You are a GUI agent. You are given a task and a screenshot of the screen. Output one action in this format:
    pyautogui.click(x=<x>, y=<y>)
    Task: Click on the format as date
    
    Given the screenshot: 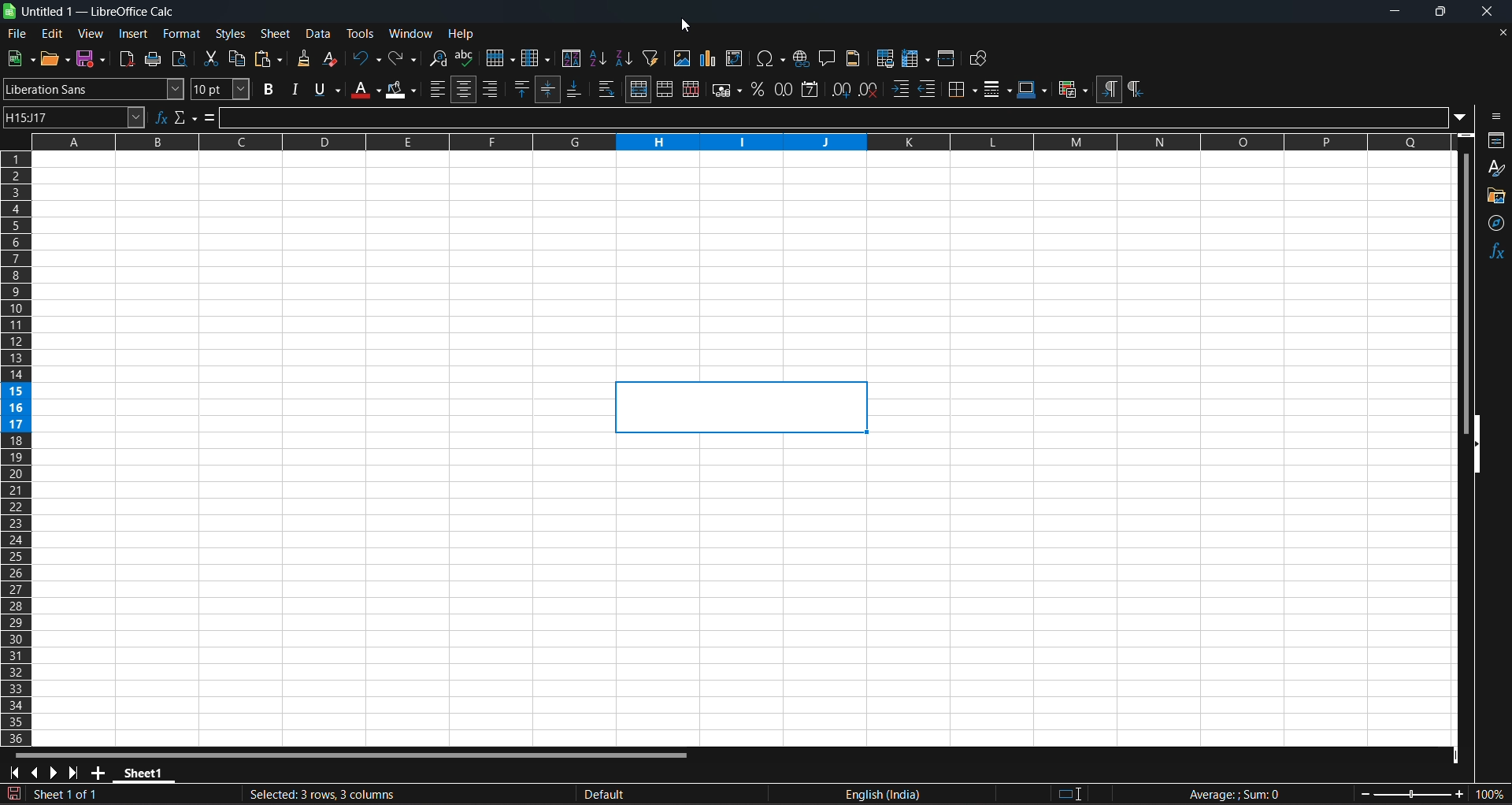 What is the action you would take?
    pyautogui.click(x=813, y=88)
    